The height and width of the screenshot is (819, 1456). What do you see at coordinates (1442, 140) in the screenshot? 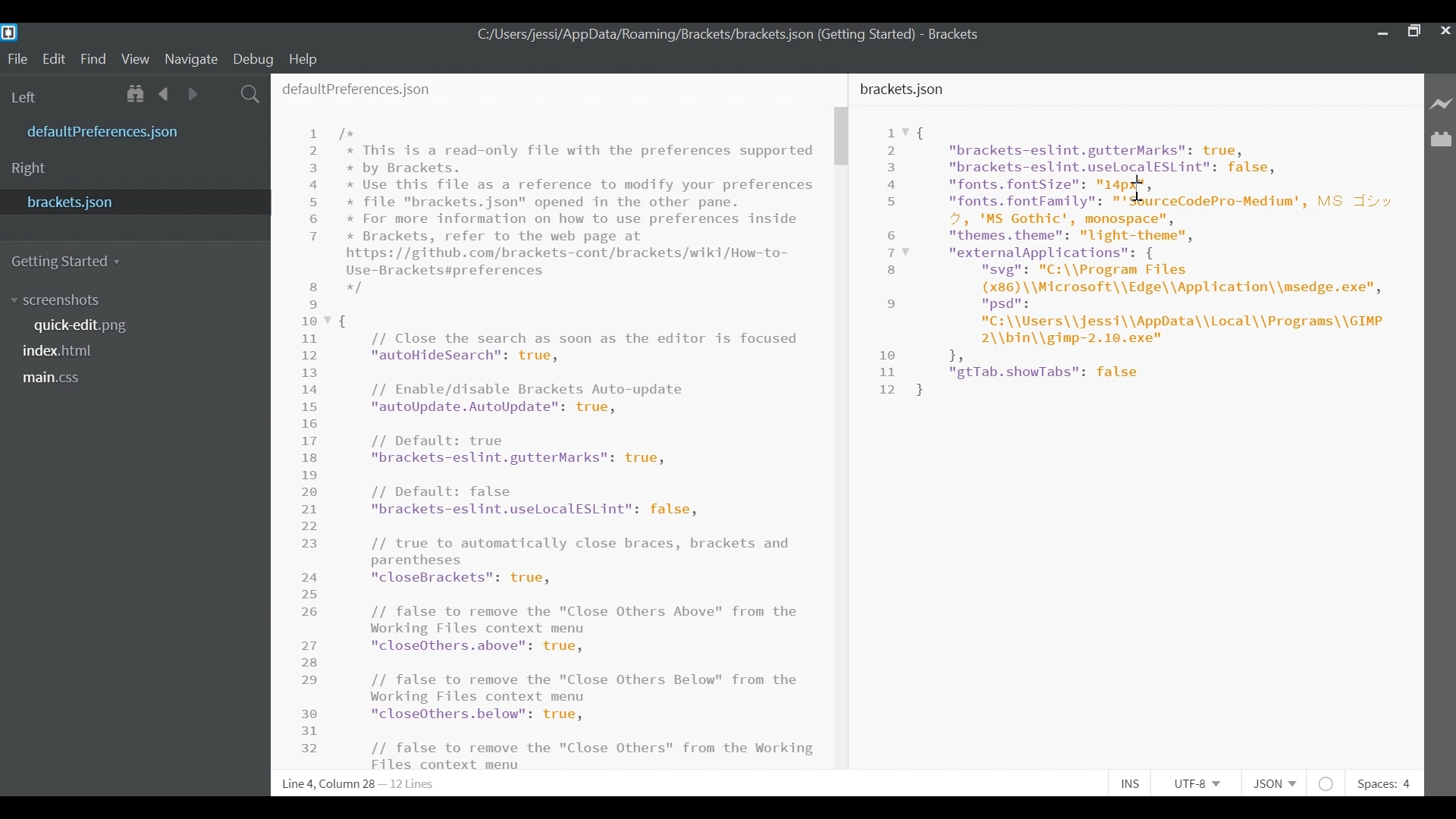
I see `Manage Extenions` at bounding box center [1442, 140].